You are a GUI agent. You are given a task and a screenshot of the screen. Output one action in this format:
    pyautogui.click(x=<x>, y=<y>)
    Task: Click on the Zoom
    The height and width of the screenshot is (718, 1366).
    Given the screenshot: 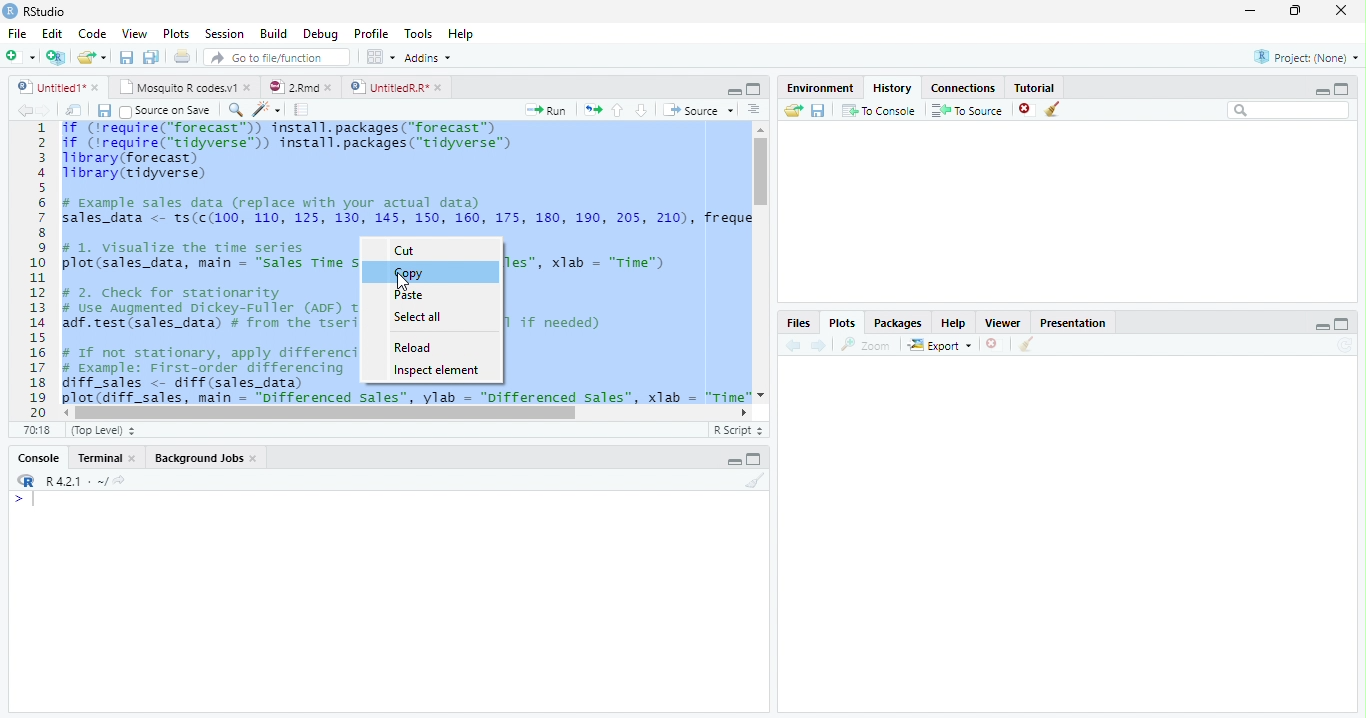 What is the action you would take?
    pyautogui.click(x=864, y=345)
    